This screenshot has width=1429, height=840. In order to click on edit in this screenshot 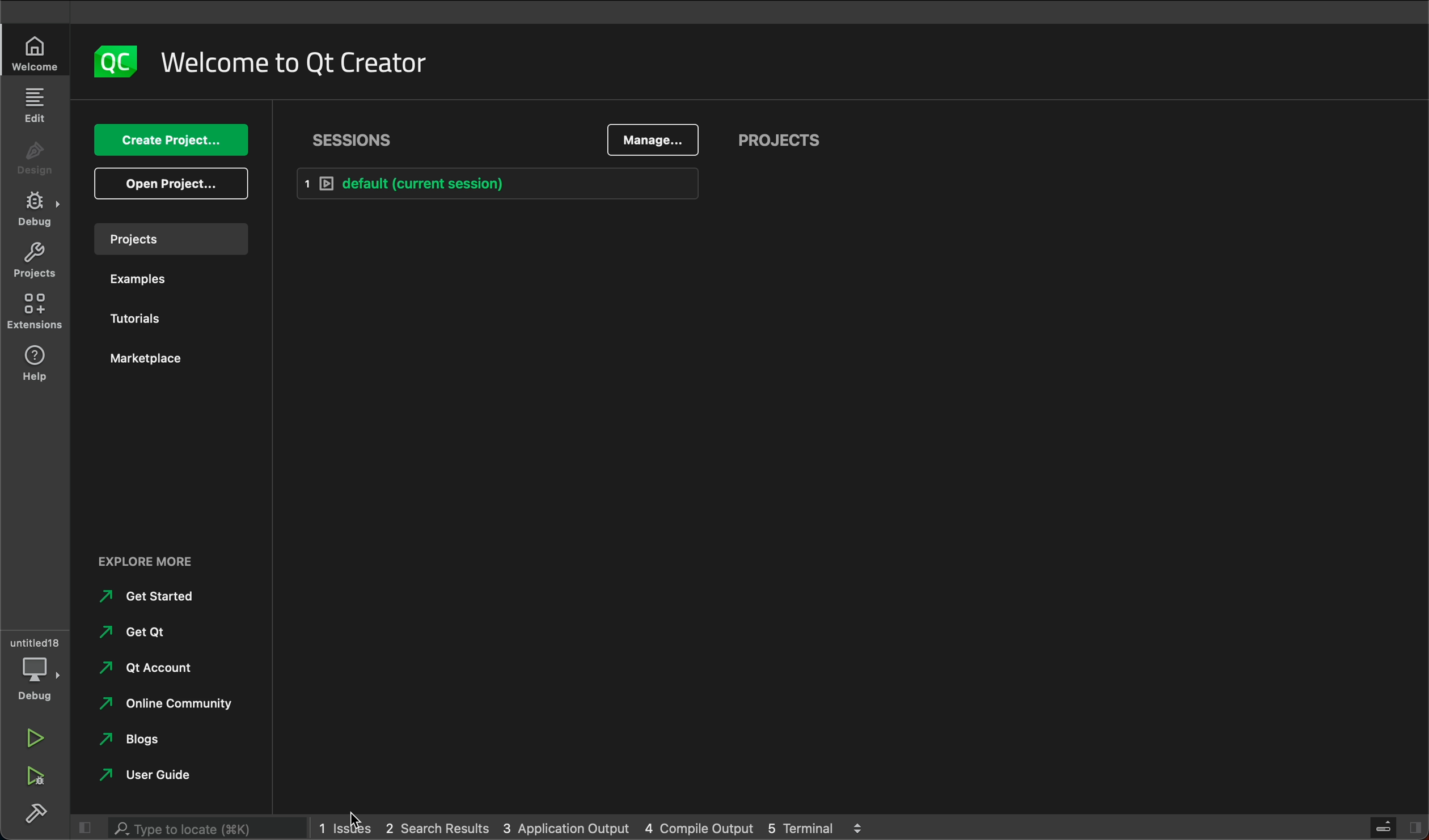, I will do `click(38, 107)`.